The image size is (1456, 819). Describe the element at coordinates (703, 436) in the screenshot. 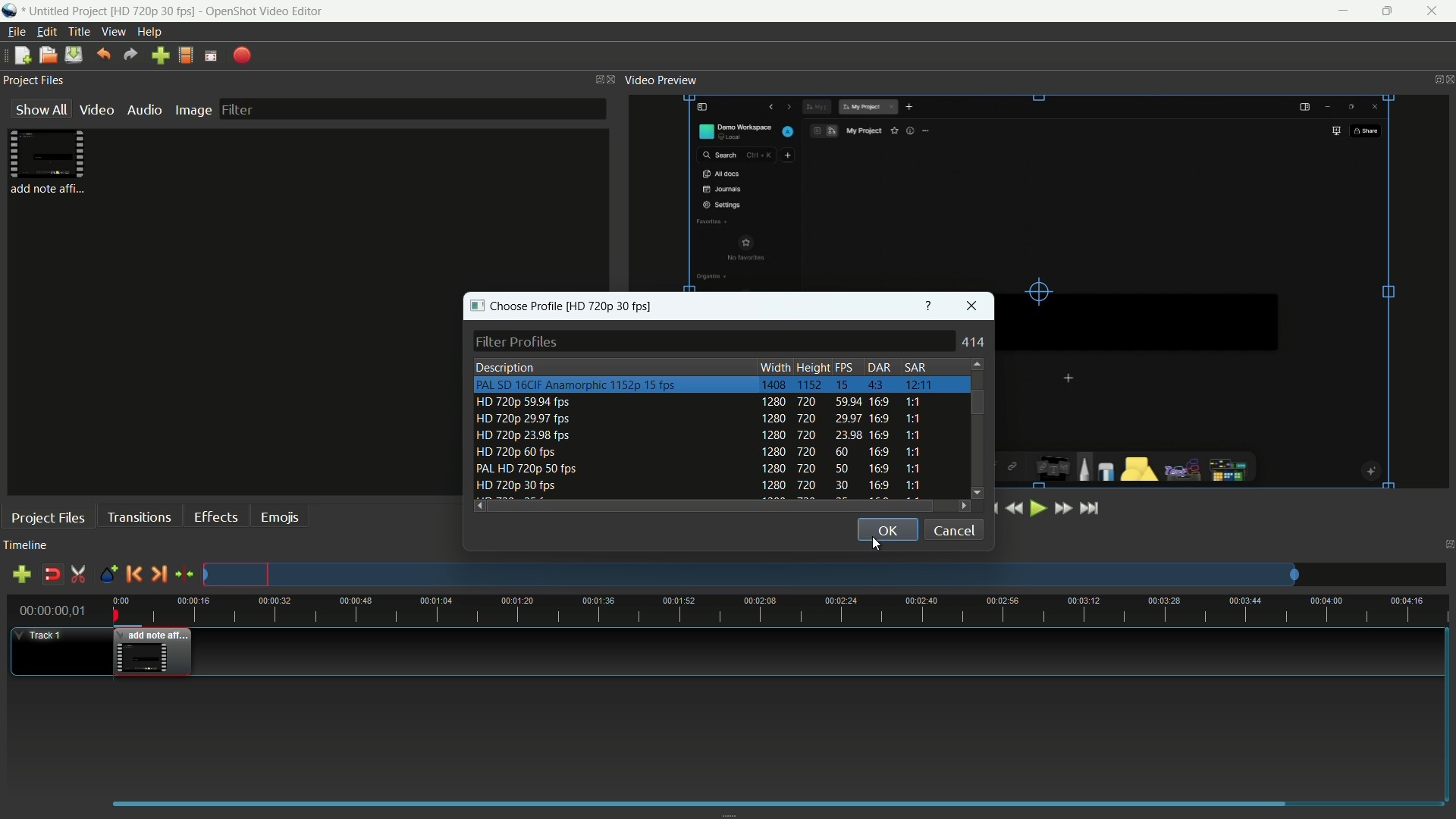

I see `profile-4` at that location.